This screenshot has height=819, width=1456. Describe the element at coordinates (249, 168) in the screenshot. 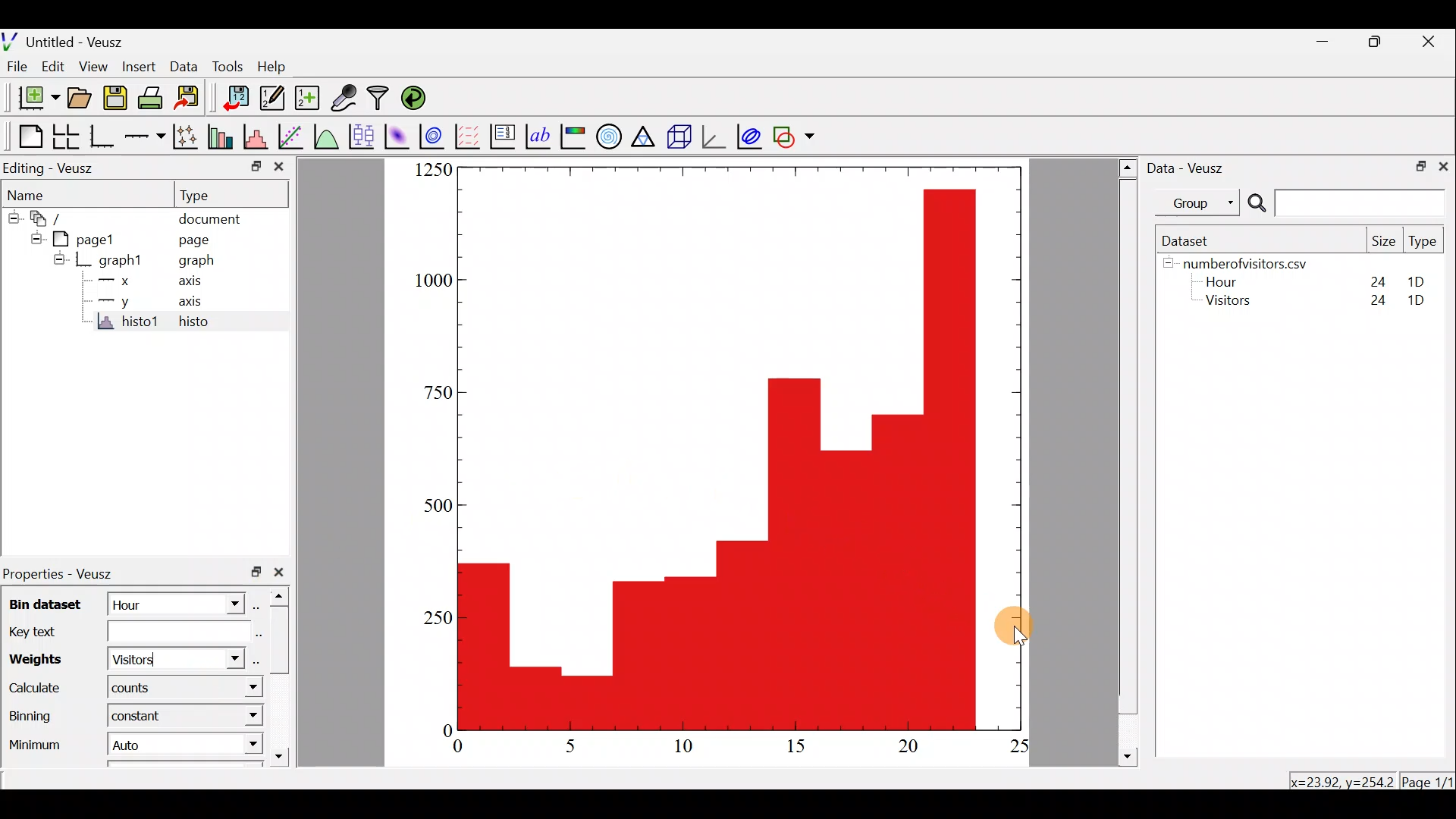

I see `restore down` at that location.